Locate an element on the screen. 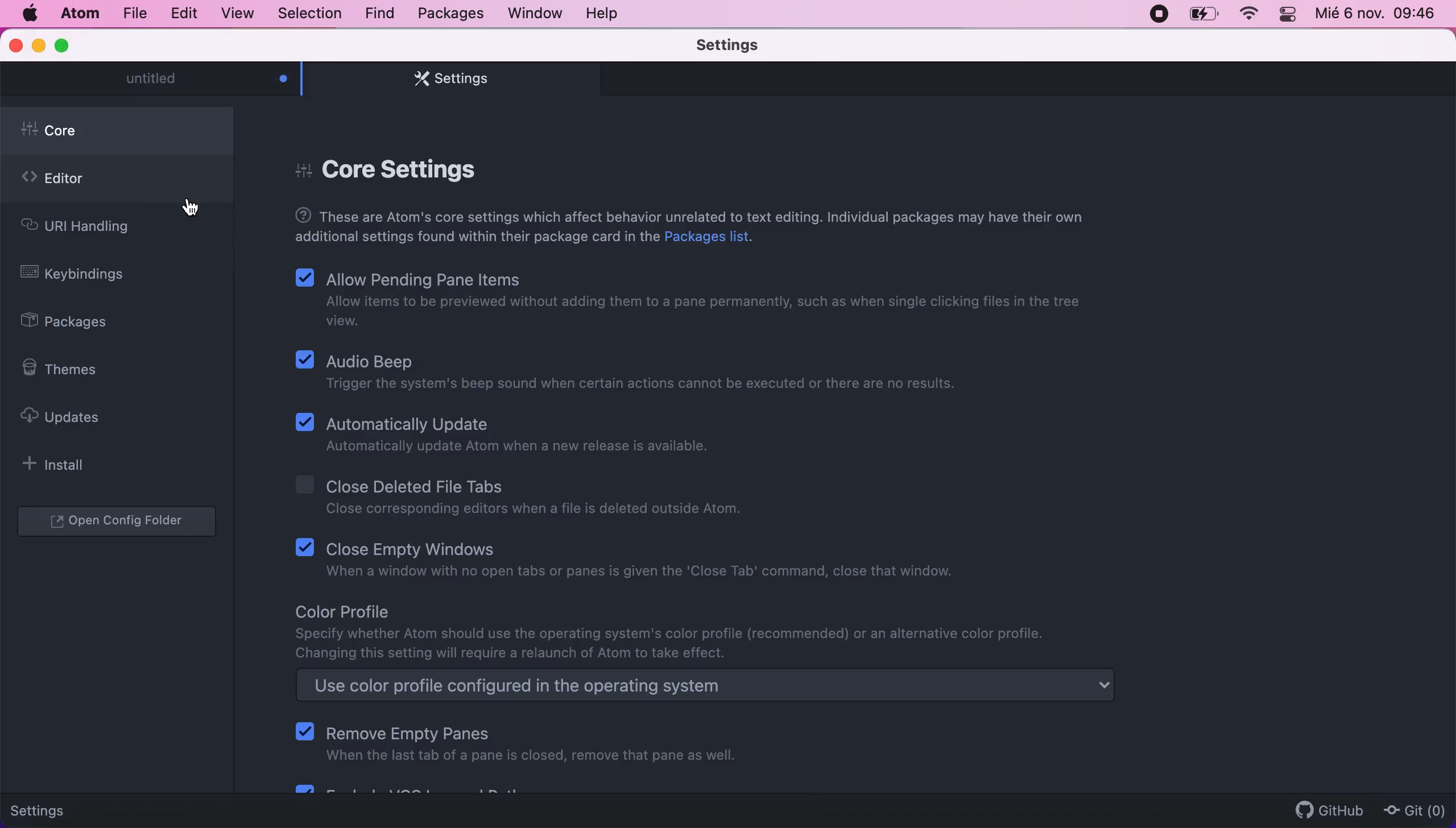  settings is located at coordinates (739, 45).